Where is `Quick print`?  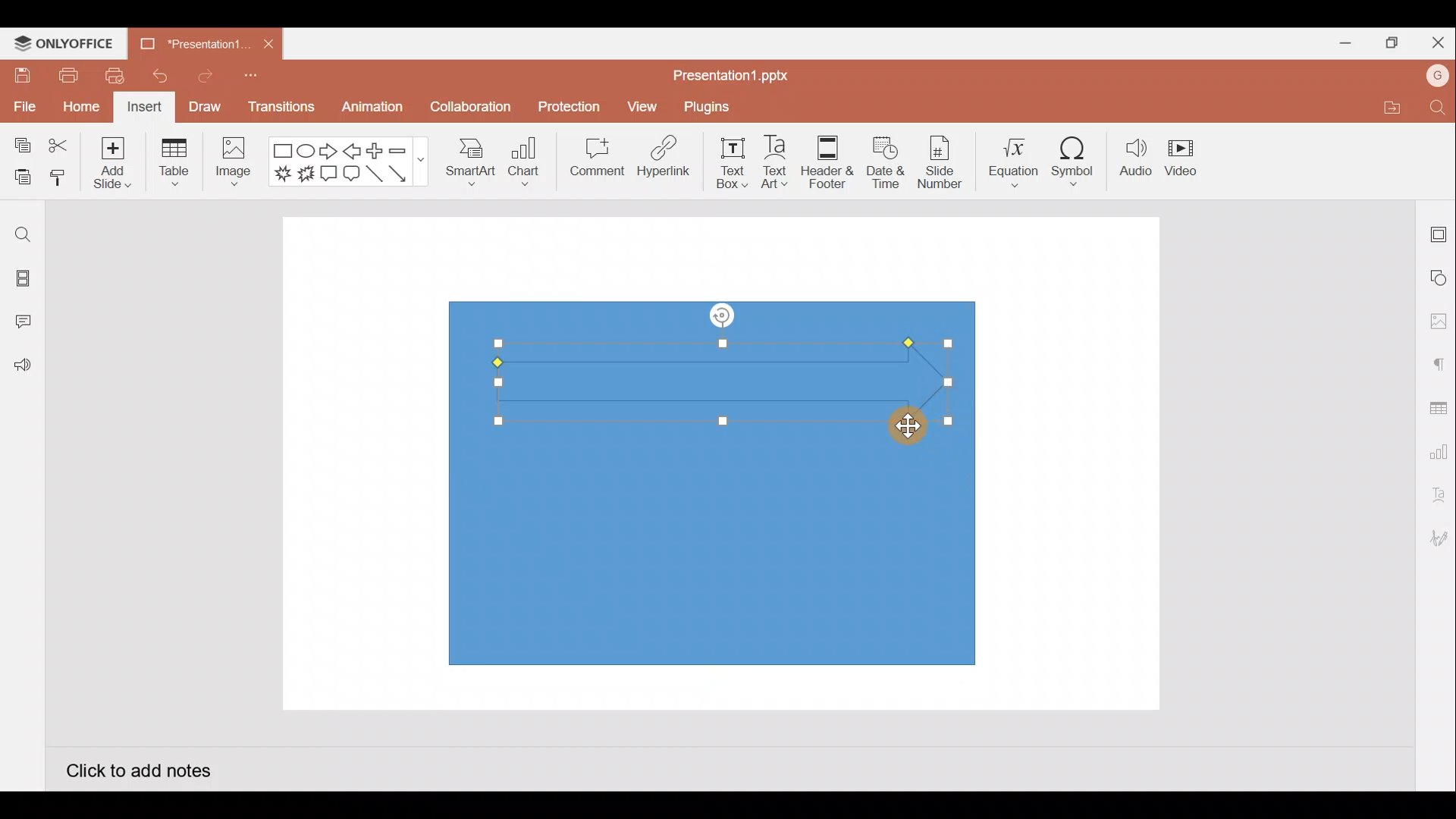 Quick print is located at coordinates (110, 76).